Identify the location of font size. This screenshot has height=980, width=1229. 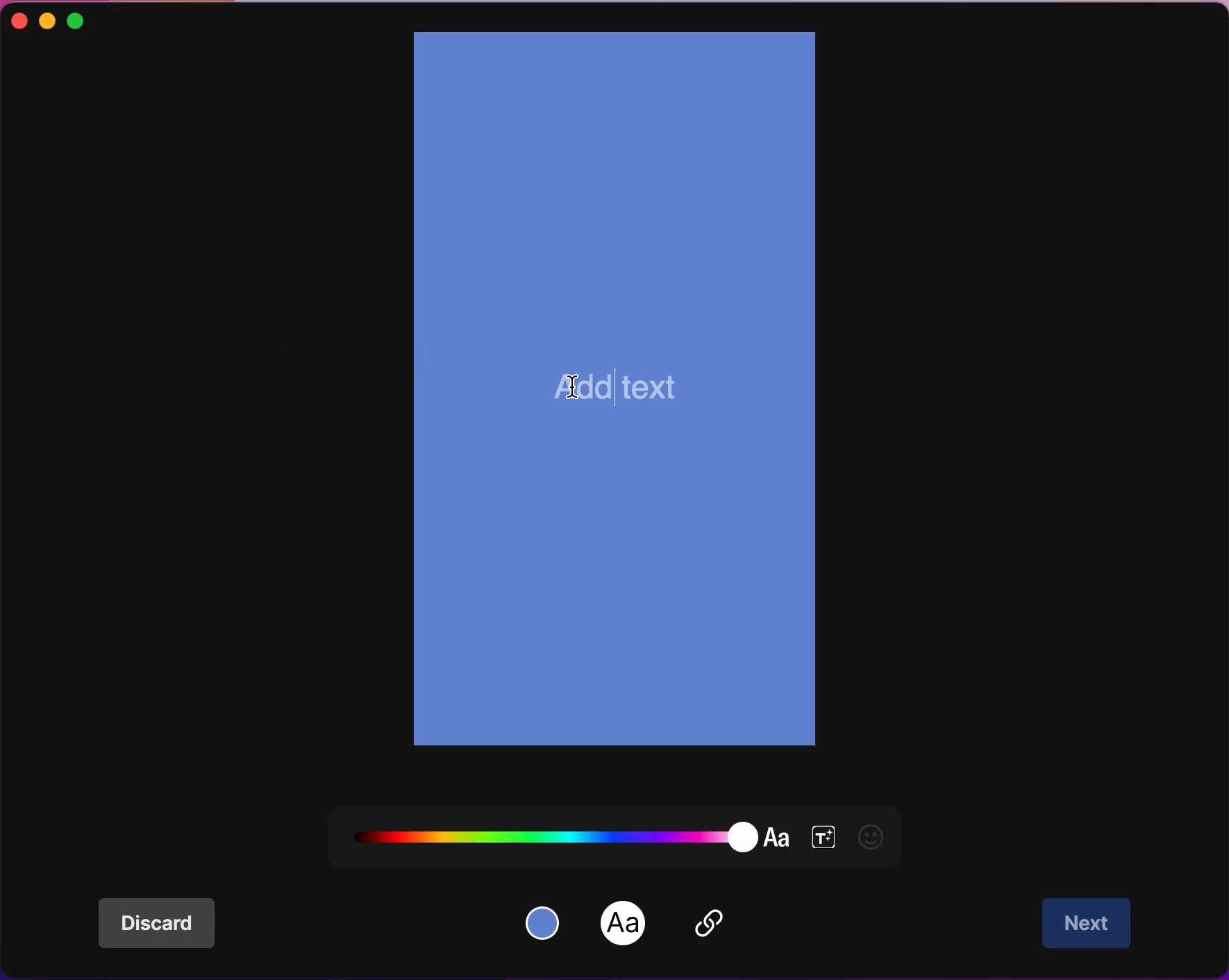
(823, 834).